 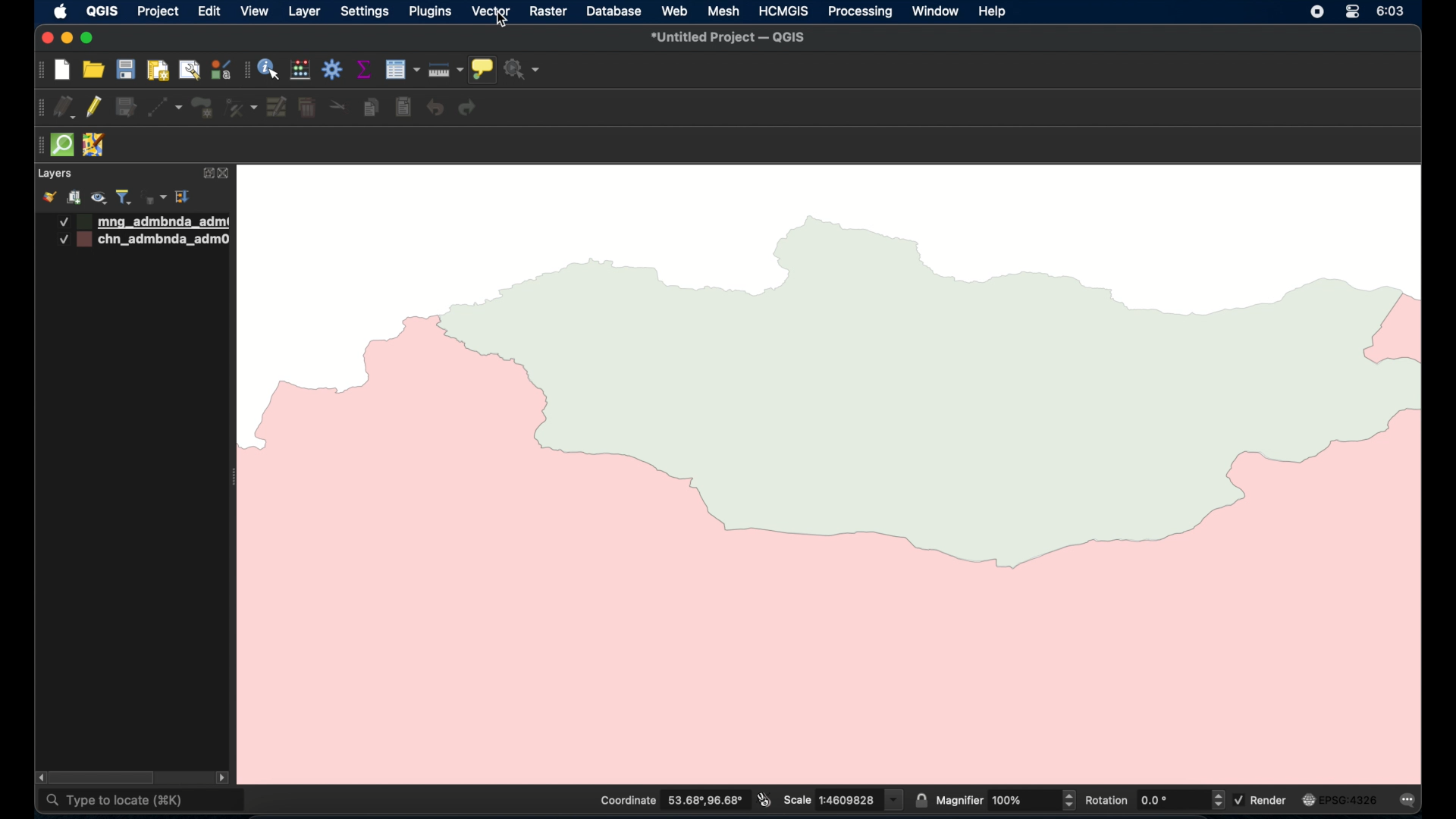 What do you see at coordinates (222, 780) in the screenshot?
I see `scroll right` at bounding box center [222, 780].